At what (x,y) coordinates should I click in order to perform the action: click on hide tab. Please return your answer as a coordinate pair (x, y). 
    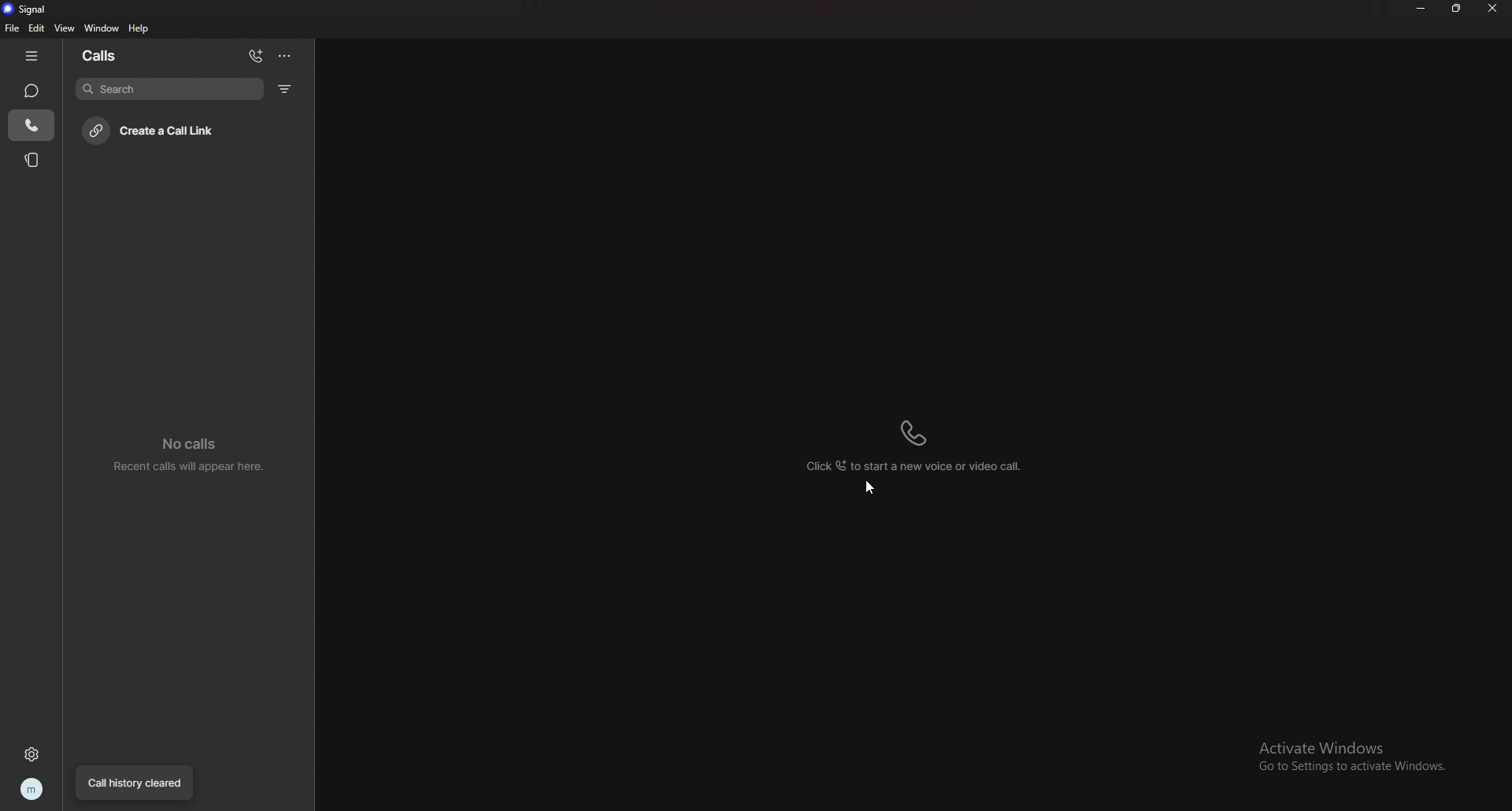
    Looking at the image, I should click on (32, 54).